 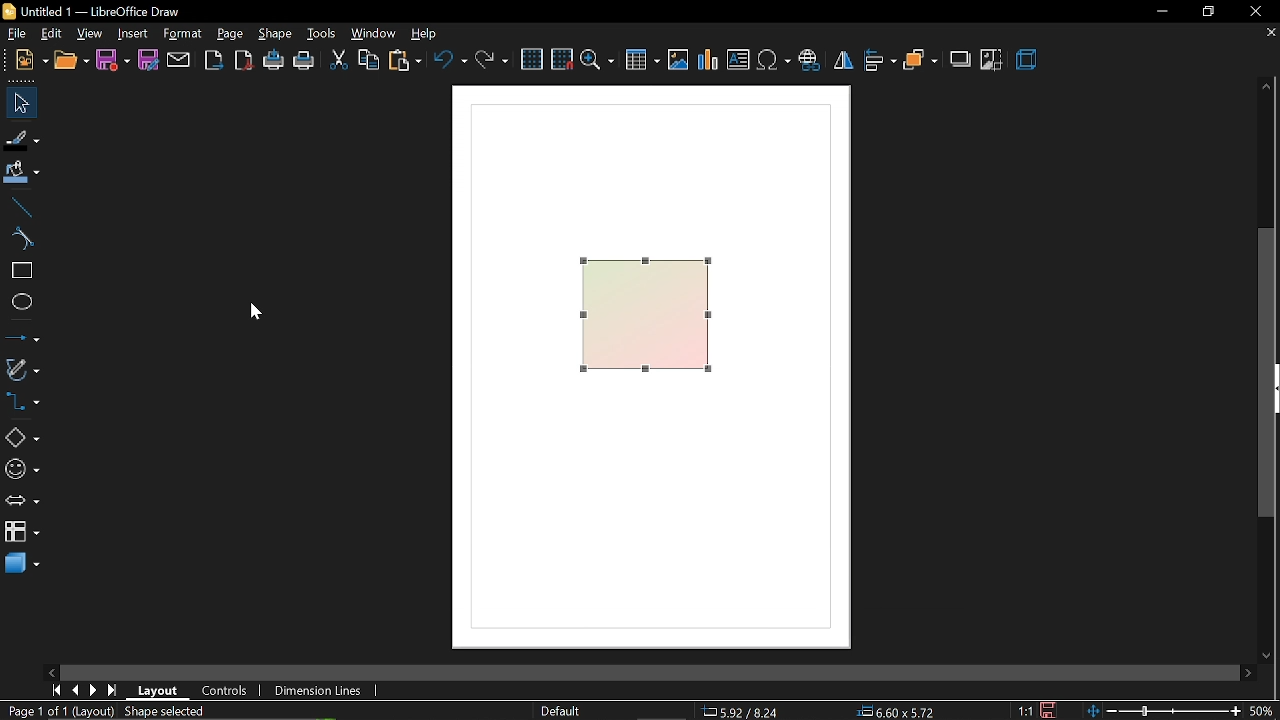 What do you see at coordinates (961, 61) in the screenshot?
I see `shadow` at bounding box center [961, 61].